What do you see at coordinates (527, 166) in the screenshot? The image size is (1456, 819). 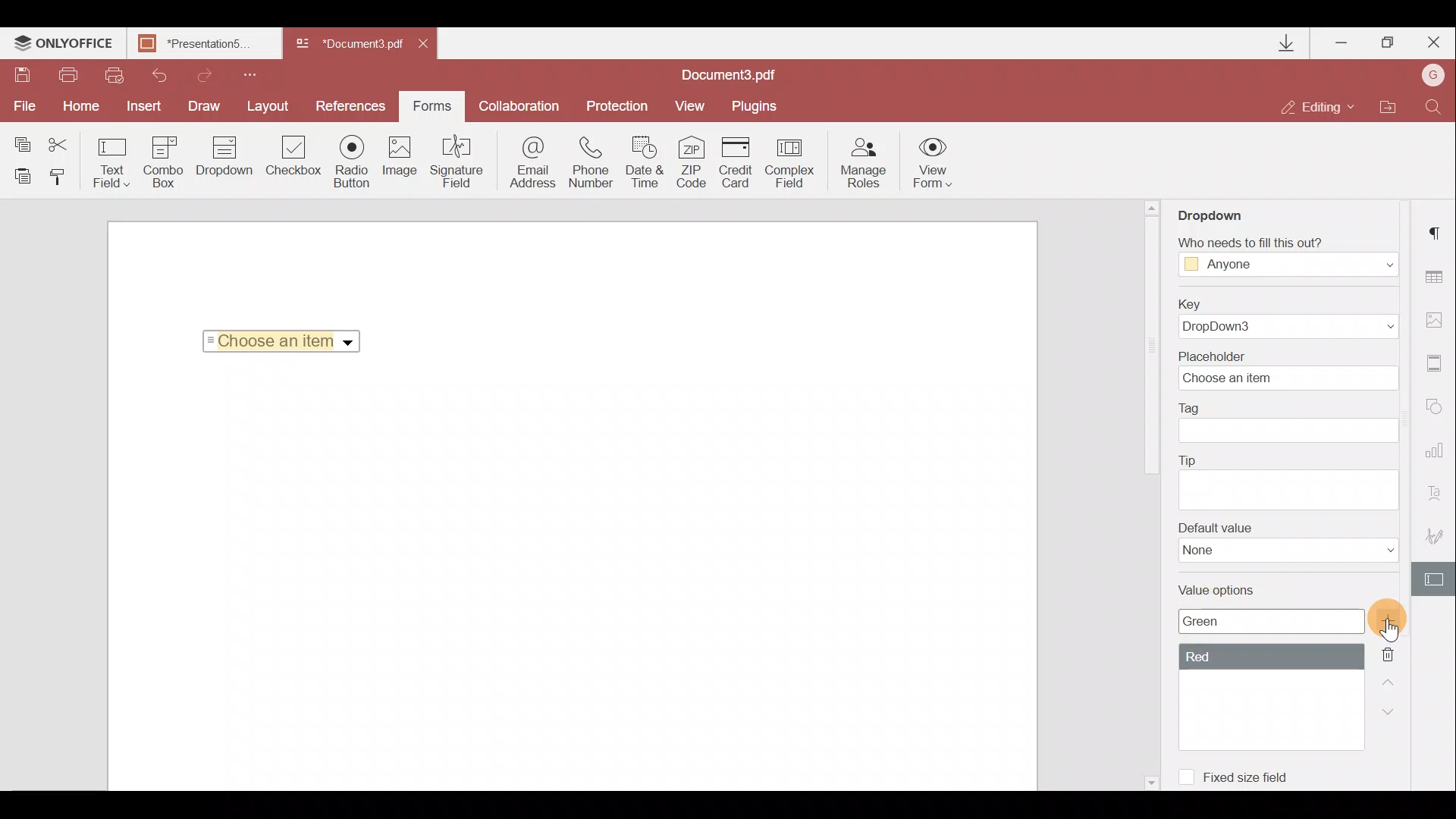 I see `Email address` at bounding box center [527, 166].